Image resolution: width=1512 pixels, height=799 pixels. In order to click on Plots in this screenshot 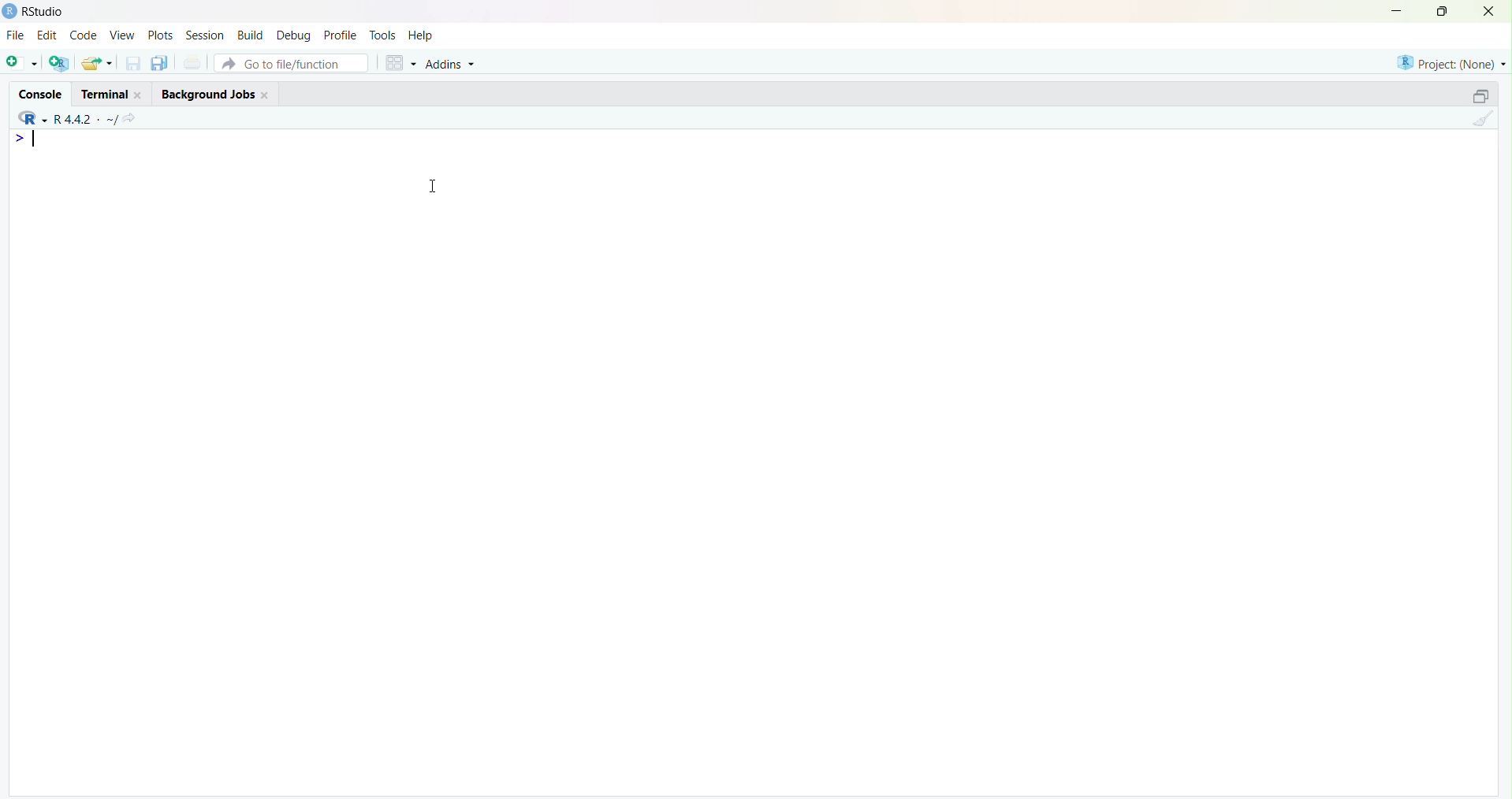, I will do `click(160, 35)`.